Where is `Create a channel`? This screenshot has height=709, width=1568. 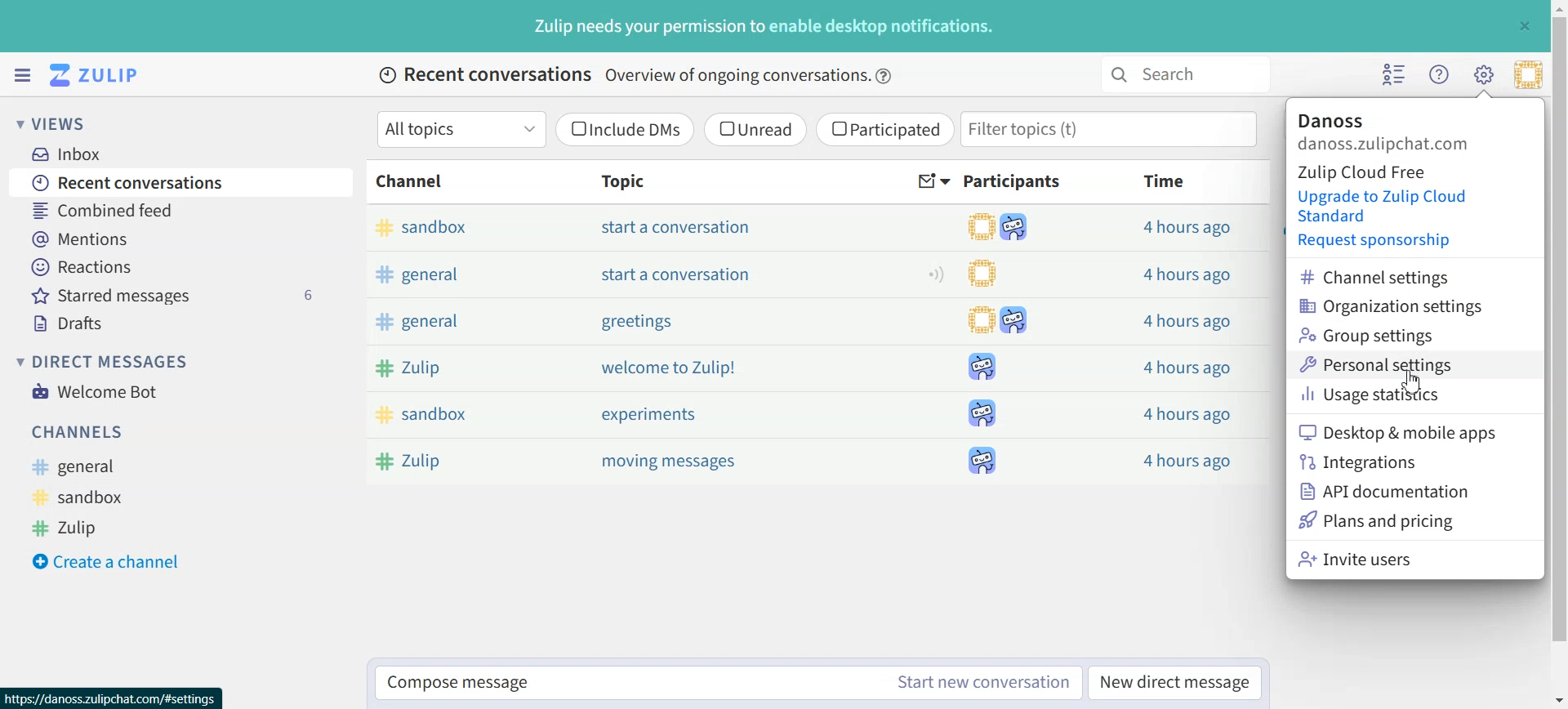 Create a channel is located at coordinates (115, 560).